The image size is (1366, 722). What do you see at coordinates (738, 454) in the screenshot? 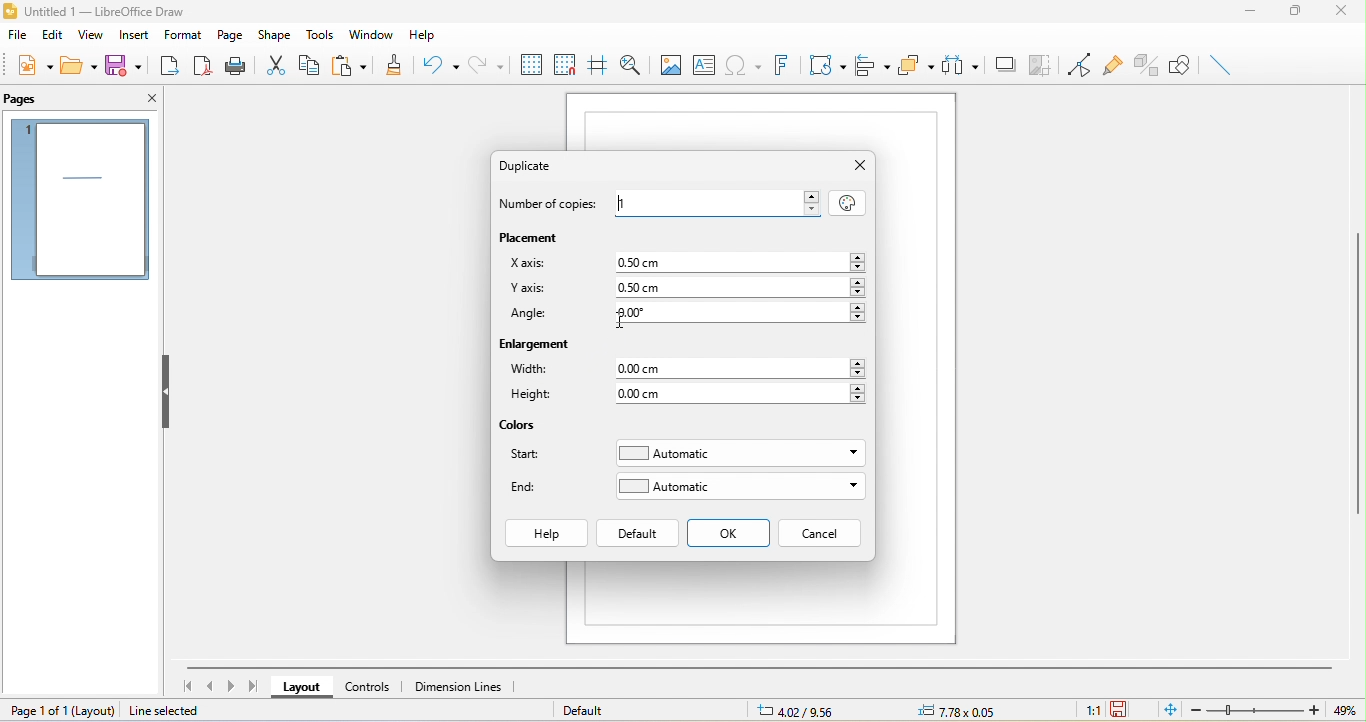
I see `automatic` at bounding box center [738, 454].